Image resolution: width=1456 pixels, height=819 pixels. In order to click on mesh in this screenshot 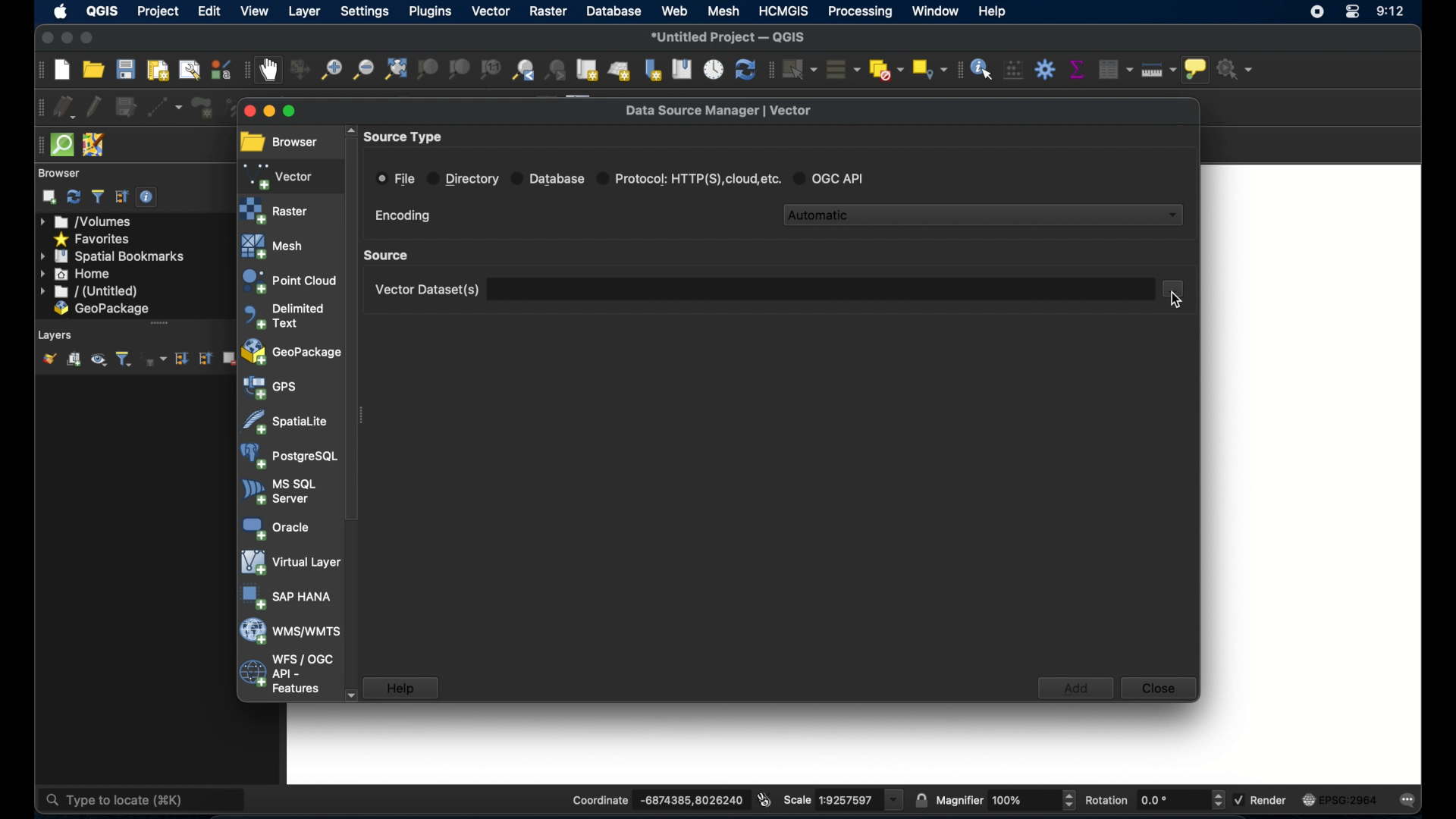, I will do `click(275, 246)`.